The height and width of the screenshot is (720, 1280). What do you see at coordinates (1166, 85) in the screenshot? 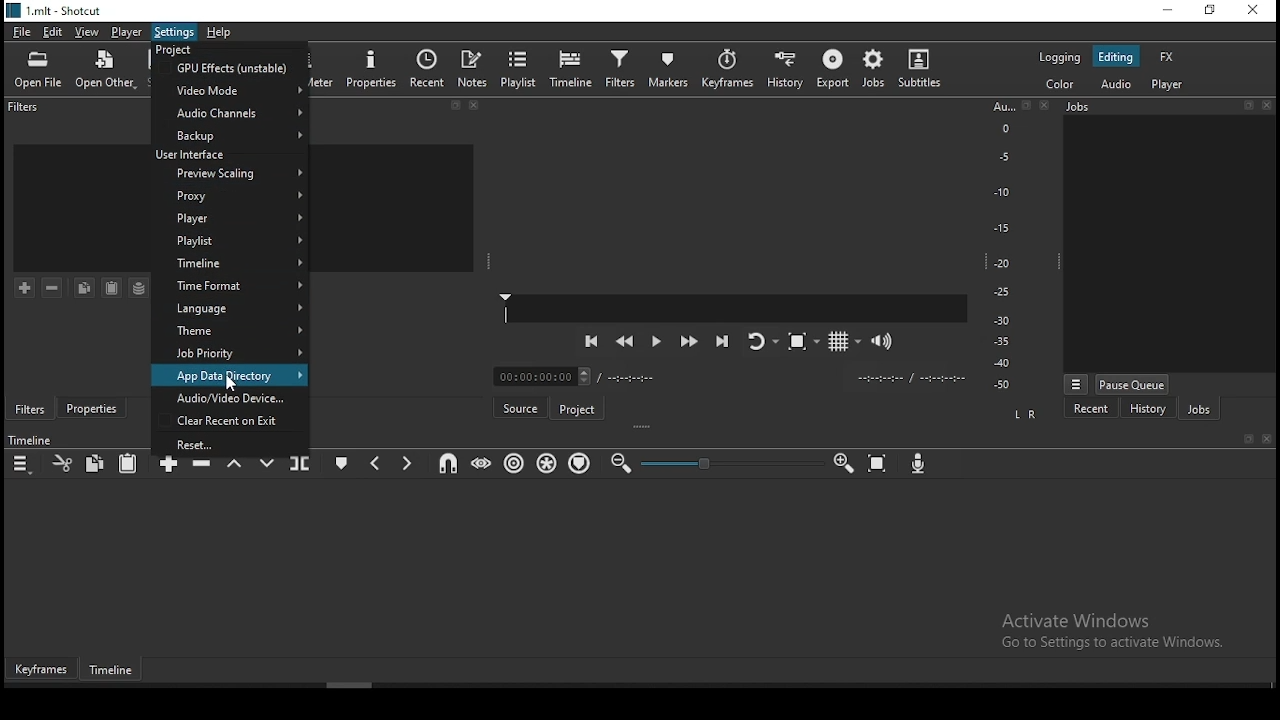
I see `player` at bounding box center [1166, 85].